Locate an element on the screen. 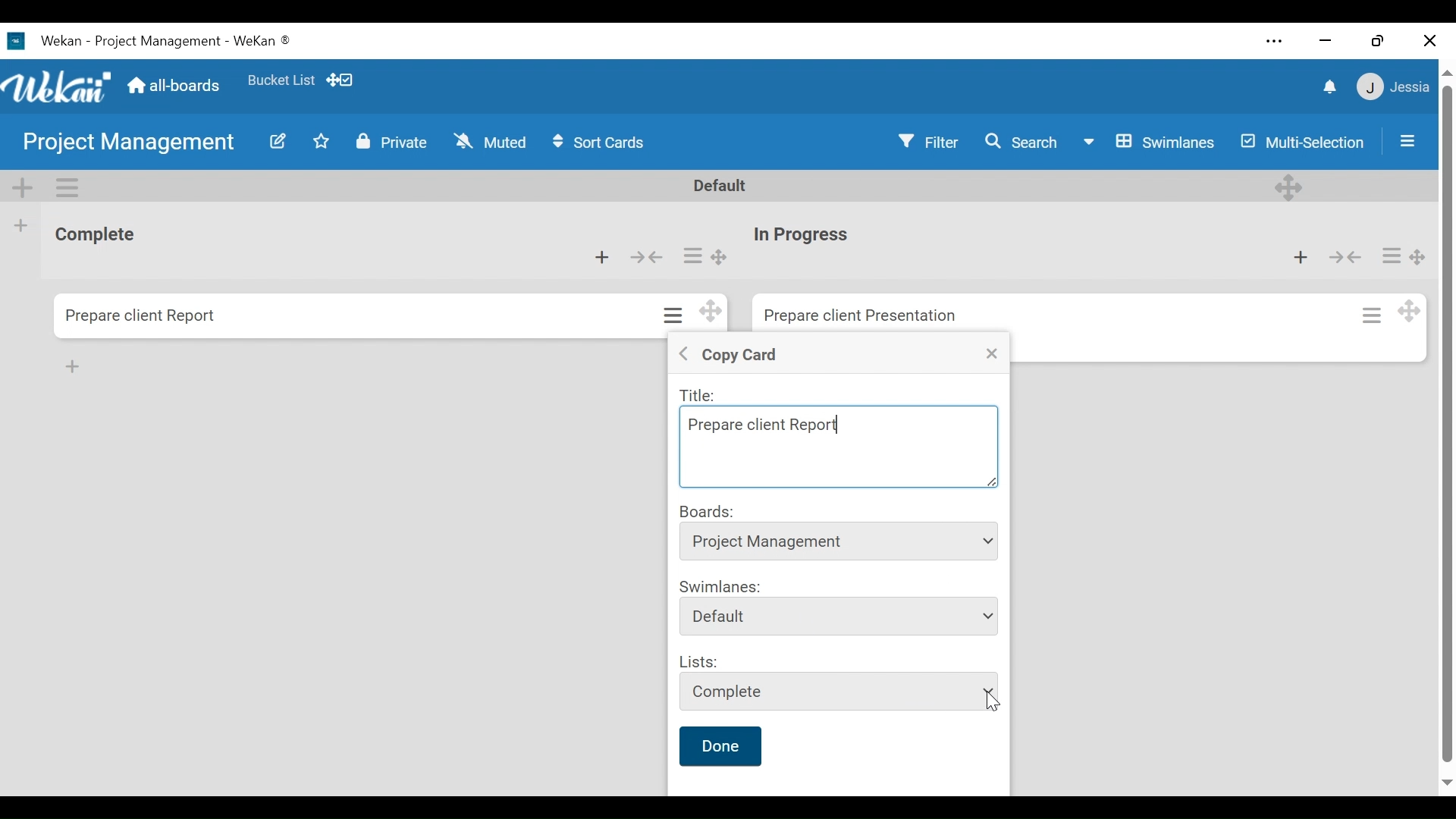  Boards is located at coordinates (709, 510).